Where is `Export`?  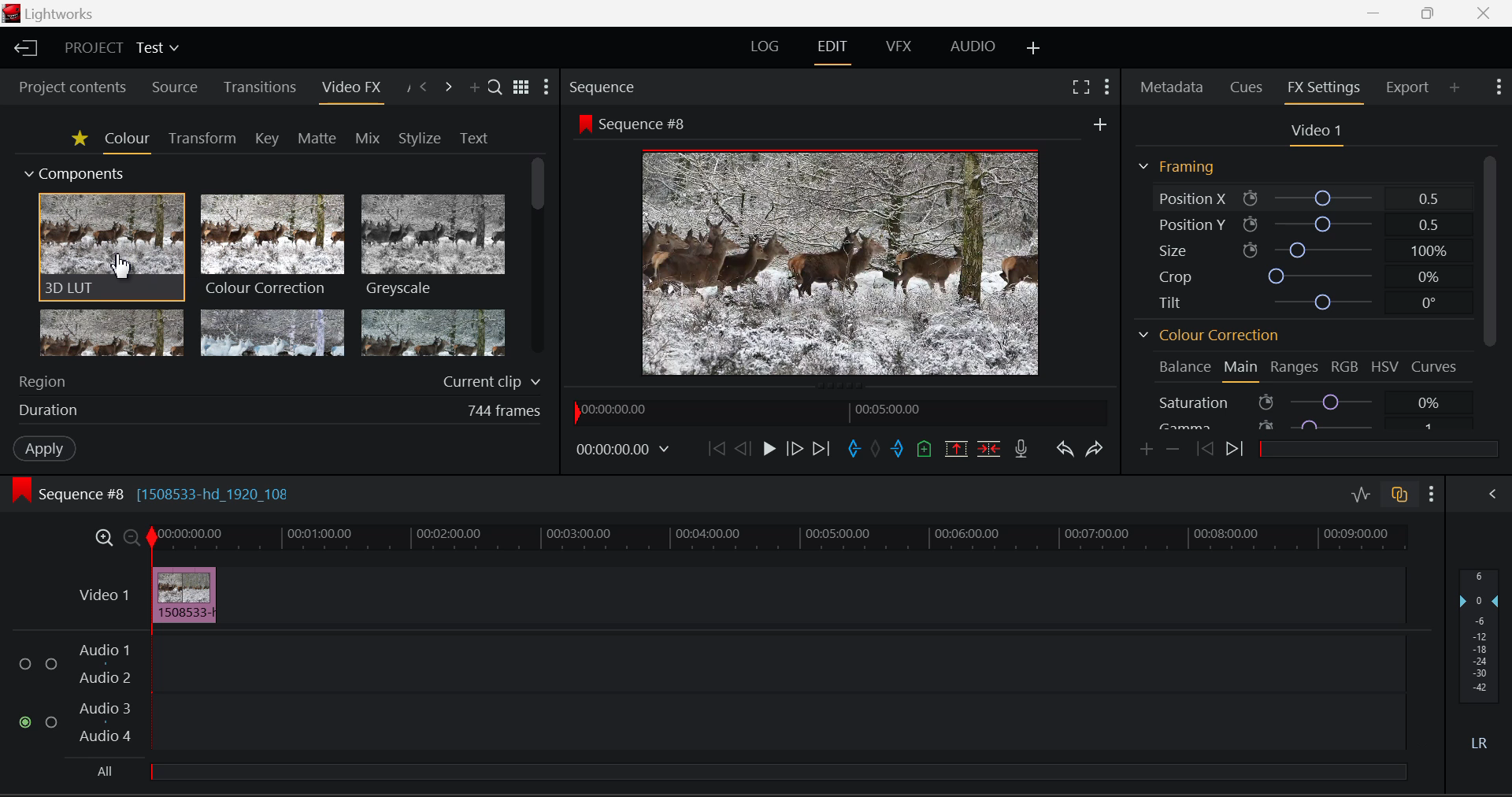 Export is located at coordinates (1405, 90).